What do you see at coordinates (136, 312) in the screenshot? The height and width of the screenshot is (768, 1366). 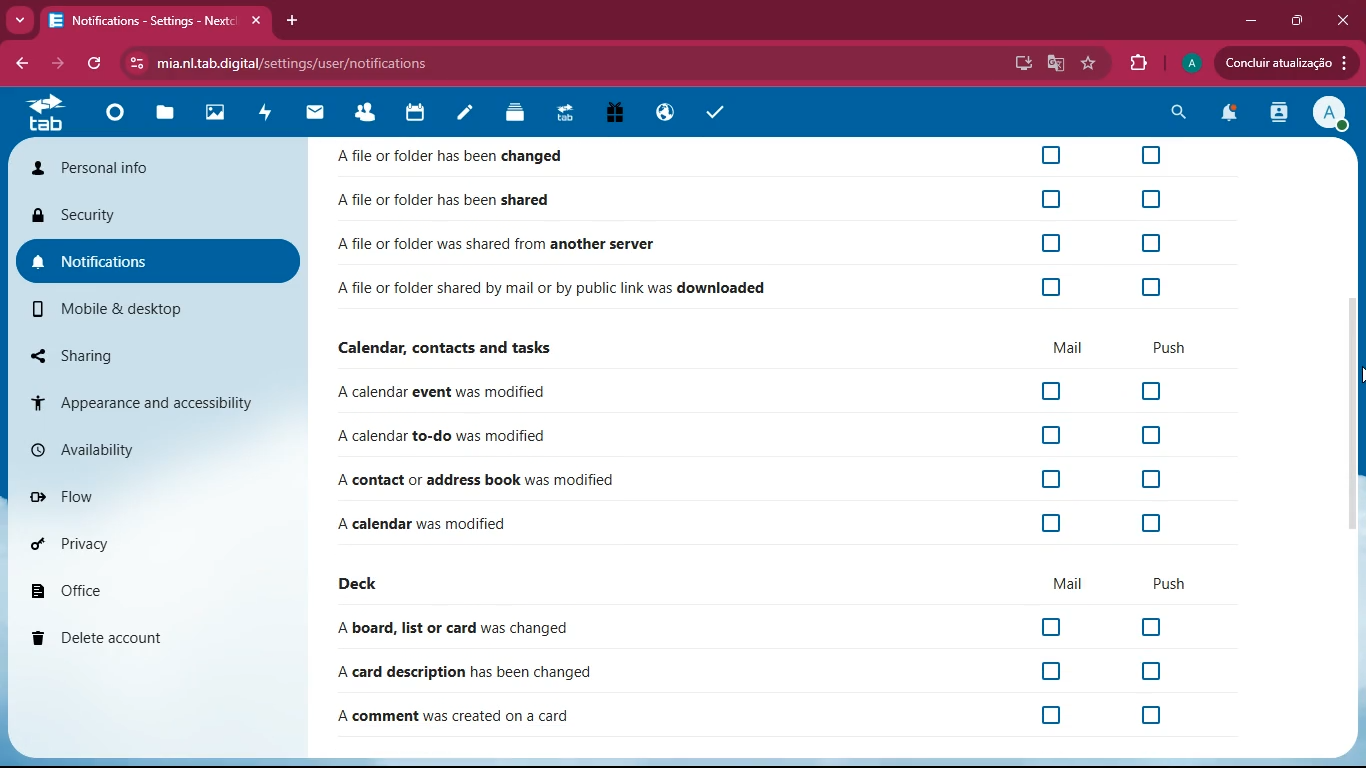 I see `mobile & desktop` at bounding box center [136, 312].